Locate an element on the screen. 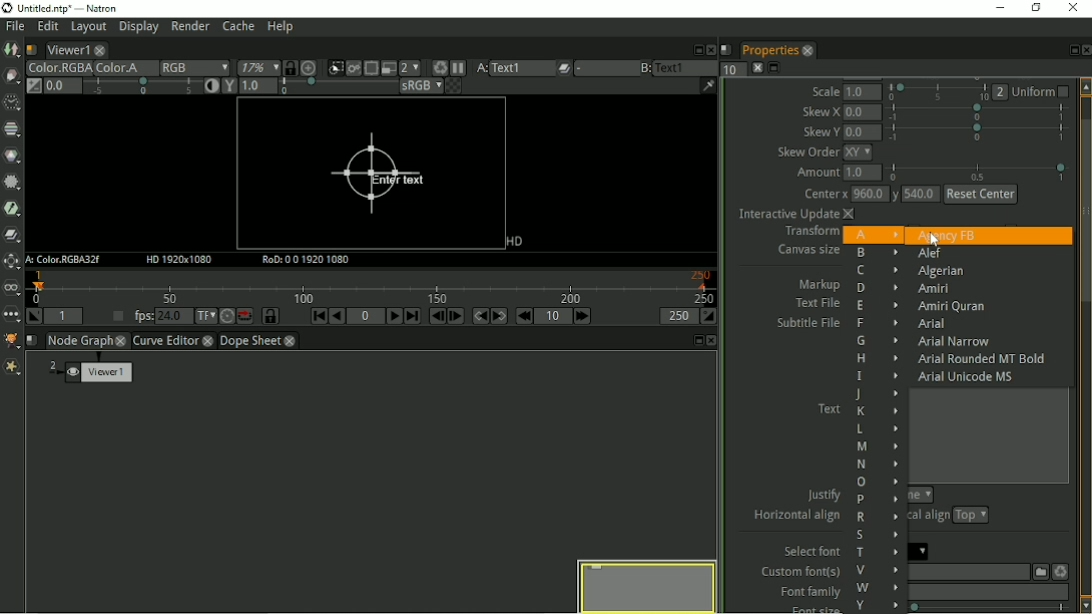 This screenshot has height=614, width=1092. Alef is located at coordinates (929, 255).